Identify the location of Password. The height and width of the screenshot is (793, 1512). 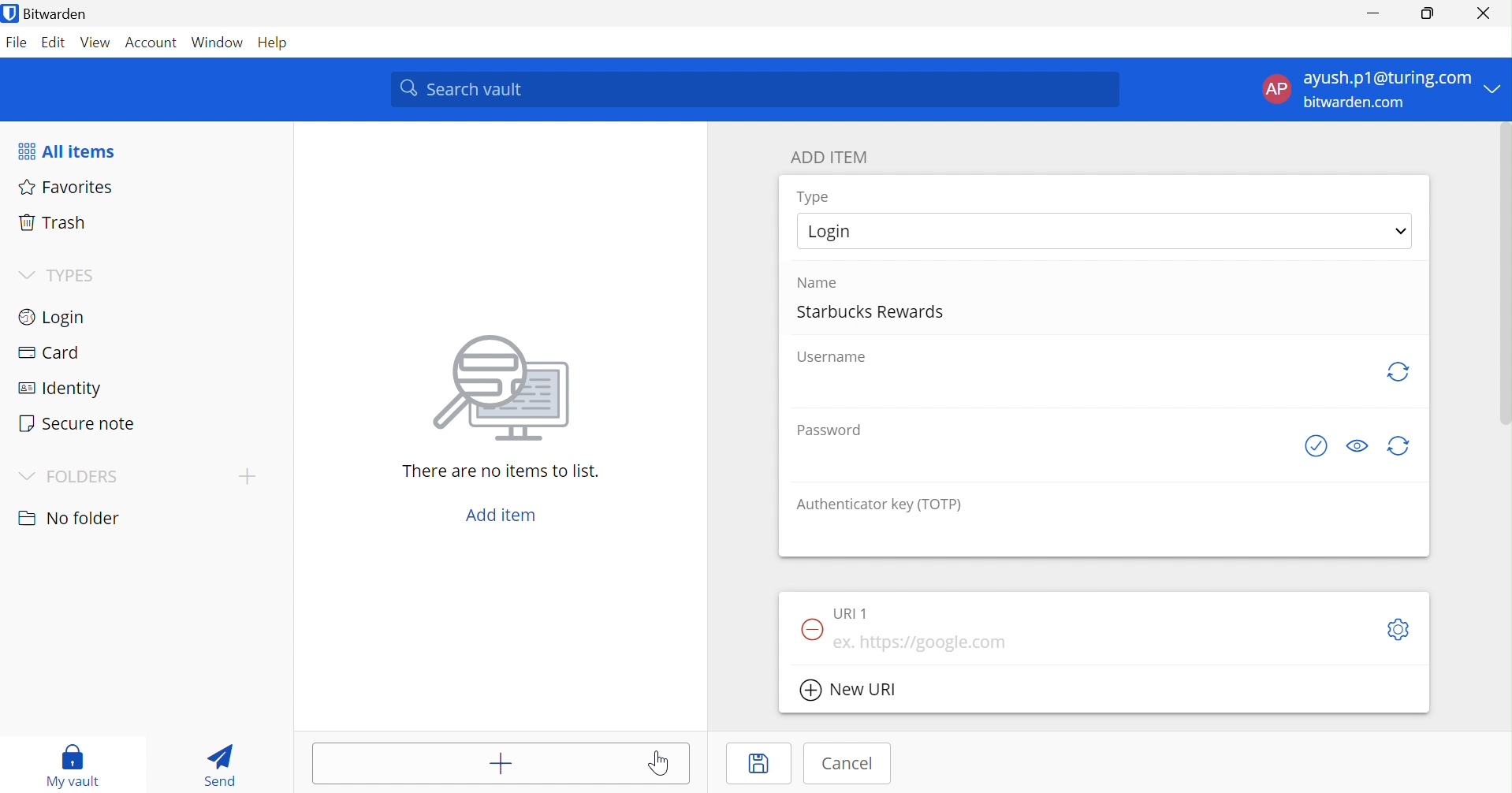
(829, 430).